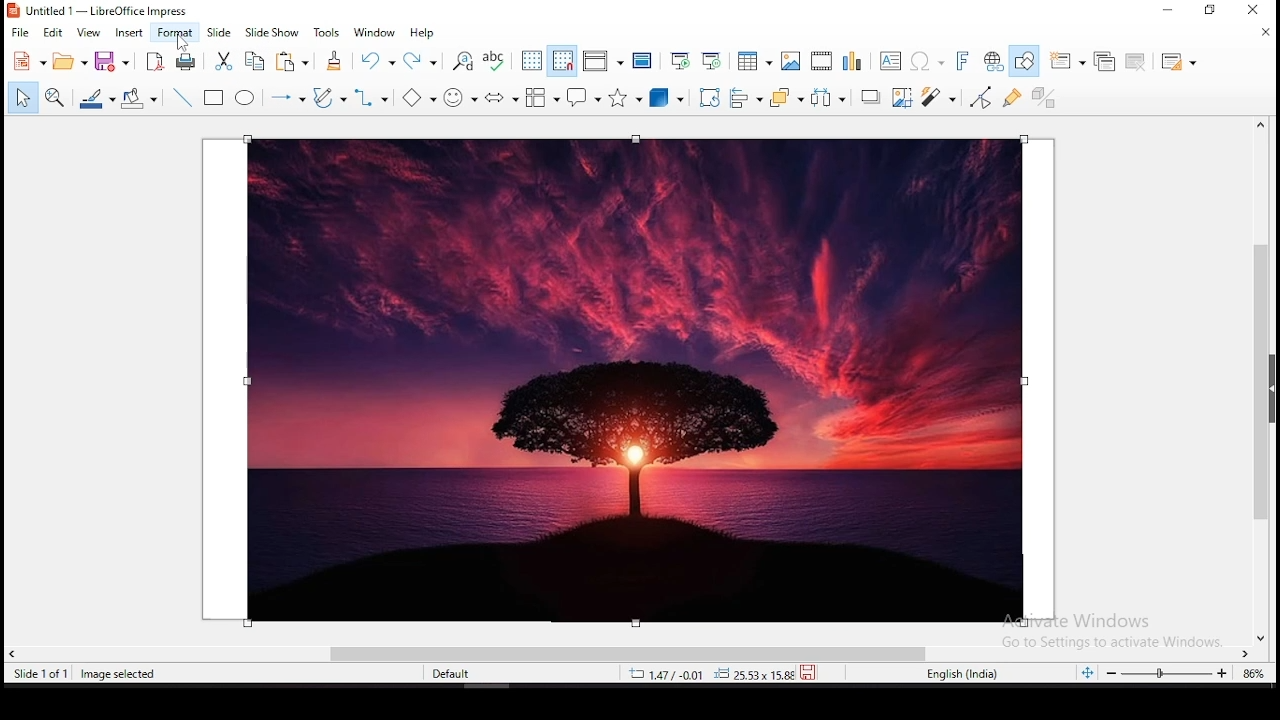  I want to click on rectangle tool, so click(215, 97).